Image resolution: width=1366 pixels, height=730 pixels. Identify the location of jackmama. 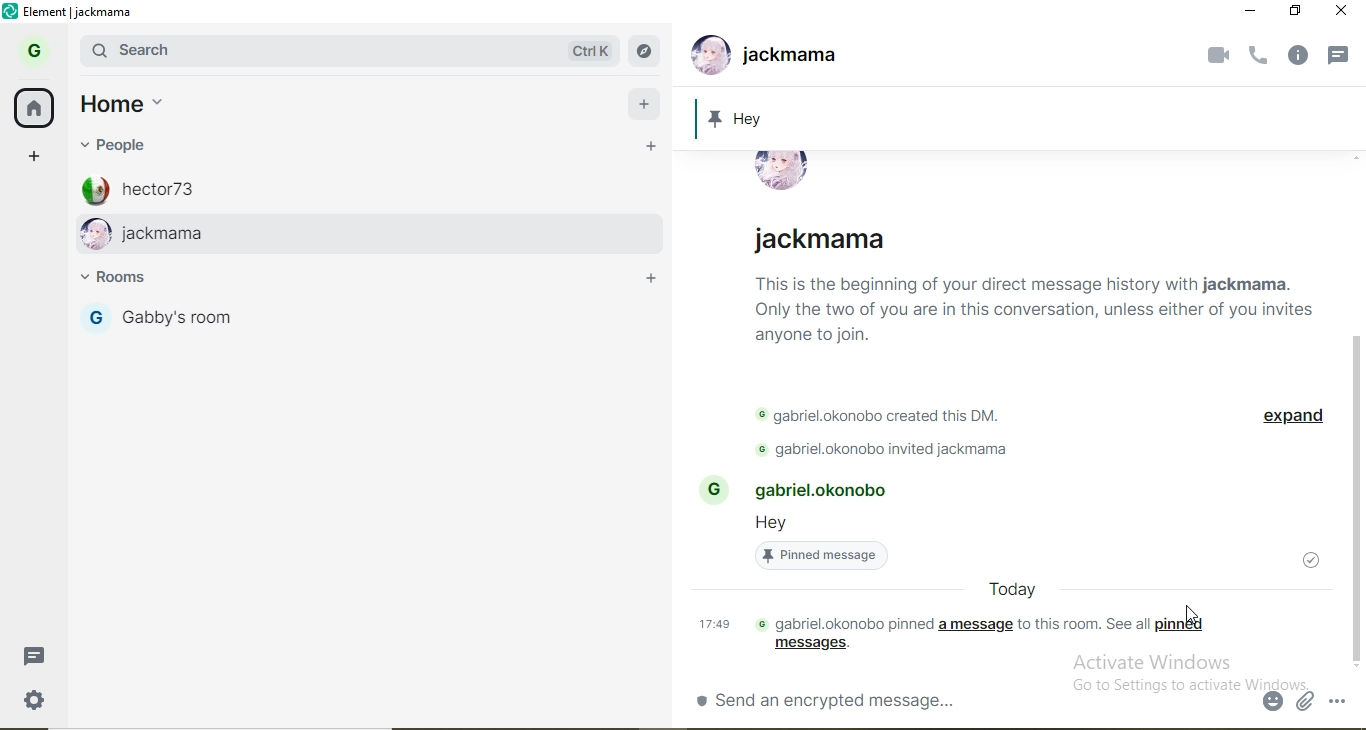
(387, 232).